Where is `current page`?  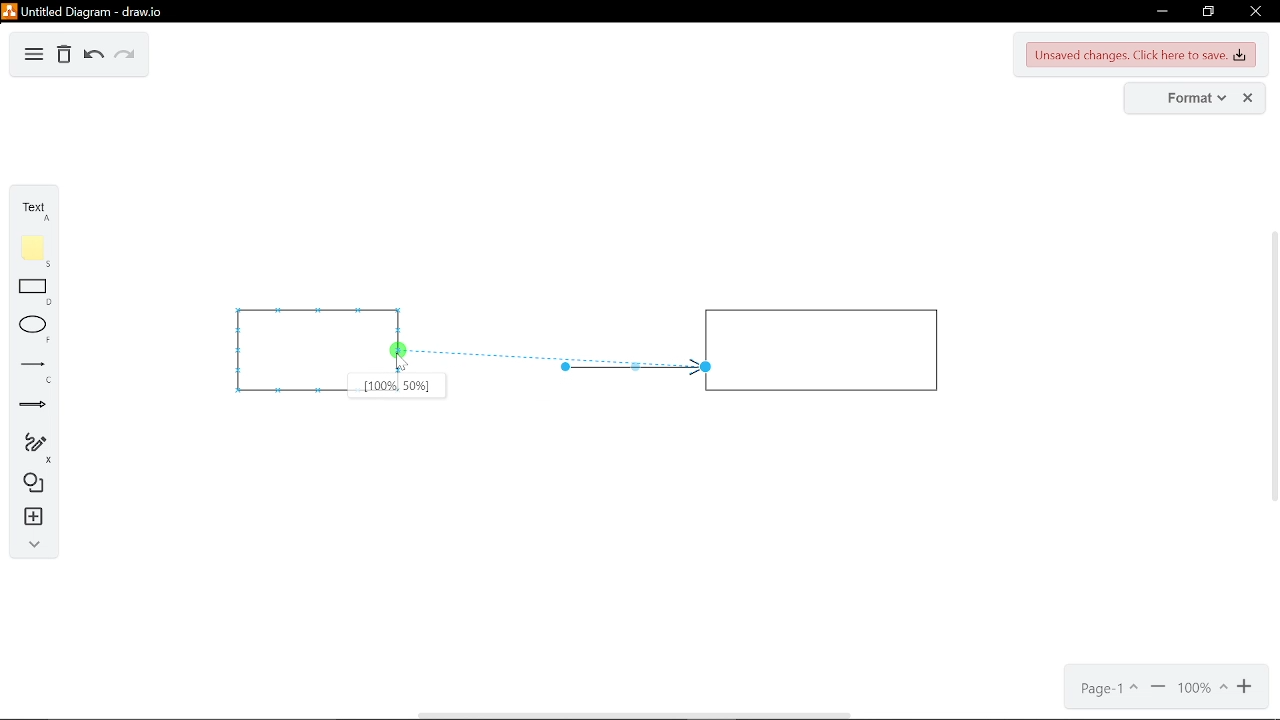
current page is located at coordinates (1106, 691).